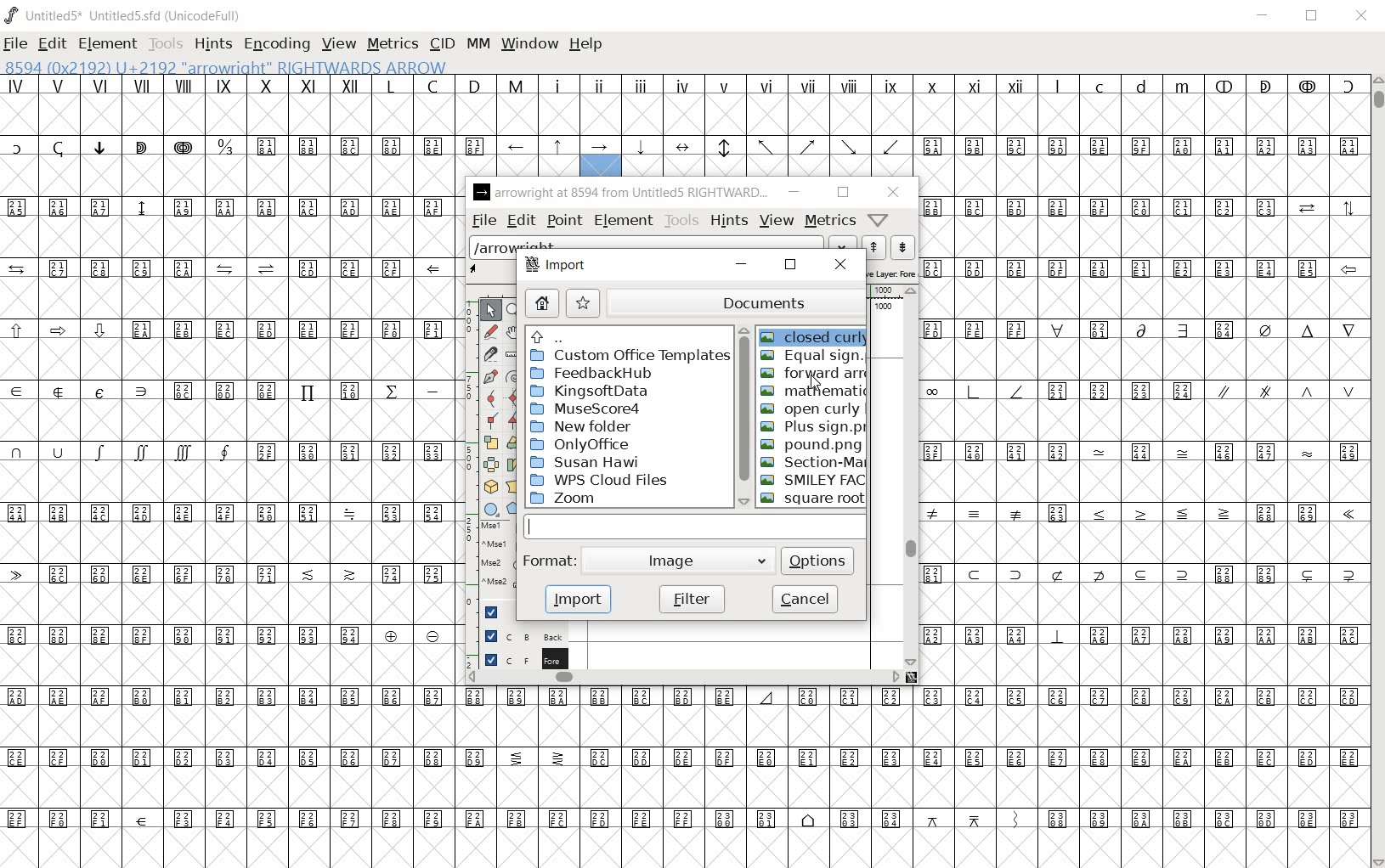  What do you see at coordinates (518, 658) in the screenshot?
I see `foreground` at bounding box center [518, 658].